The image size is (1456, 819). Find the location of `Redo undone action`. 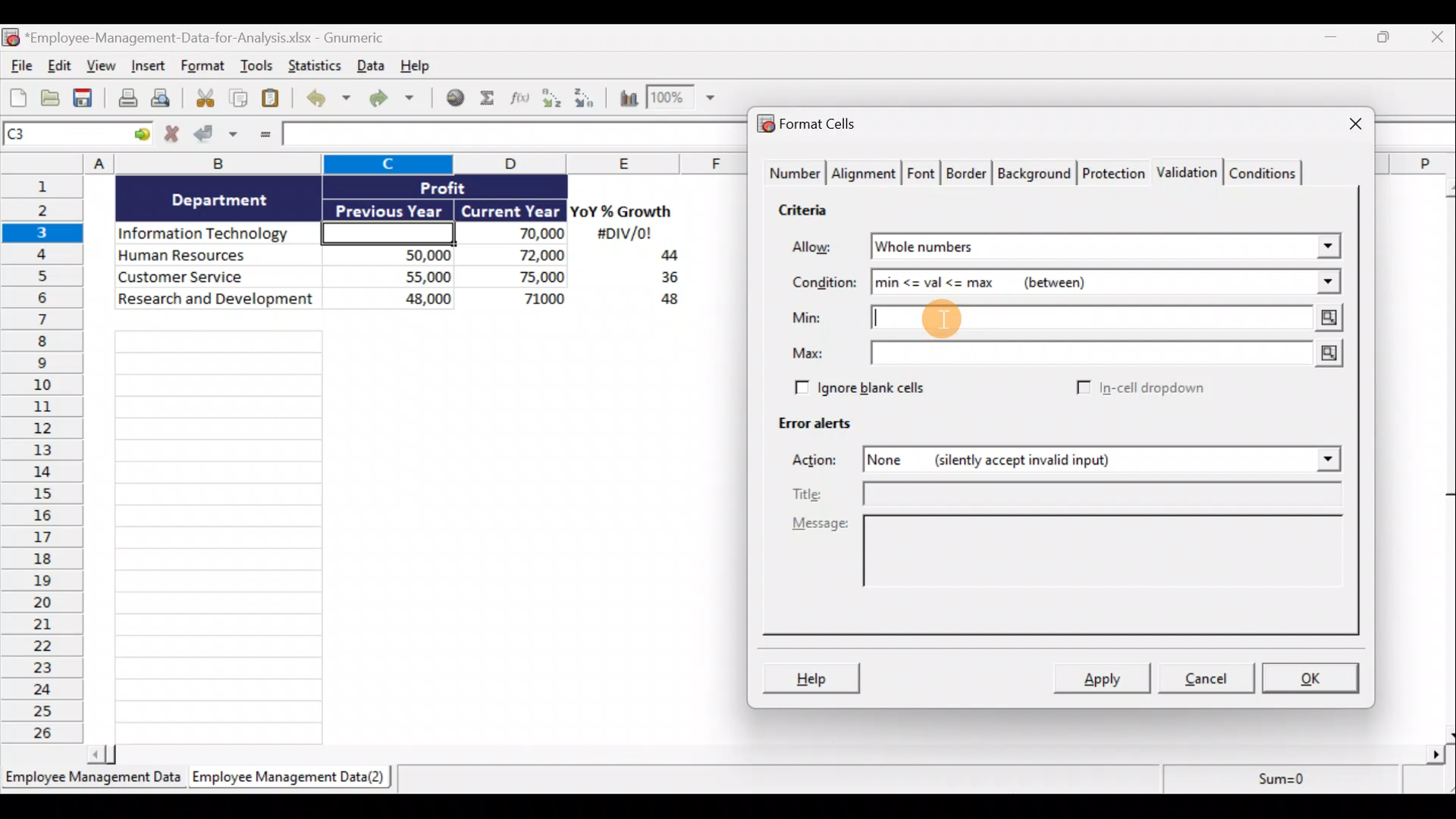

Redo undone action is located at coordinates (398, 99).